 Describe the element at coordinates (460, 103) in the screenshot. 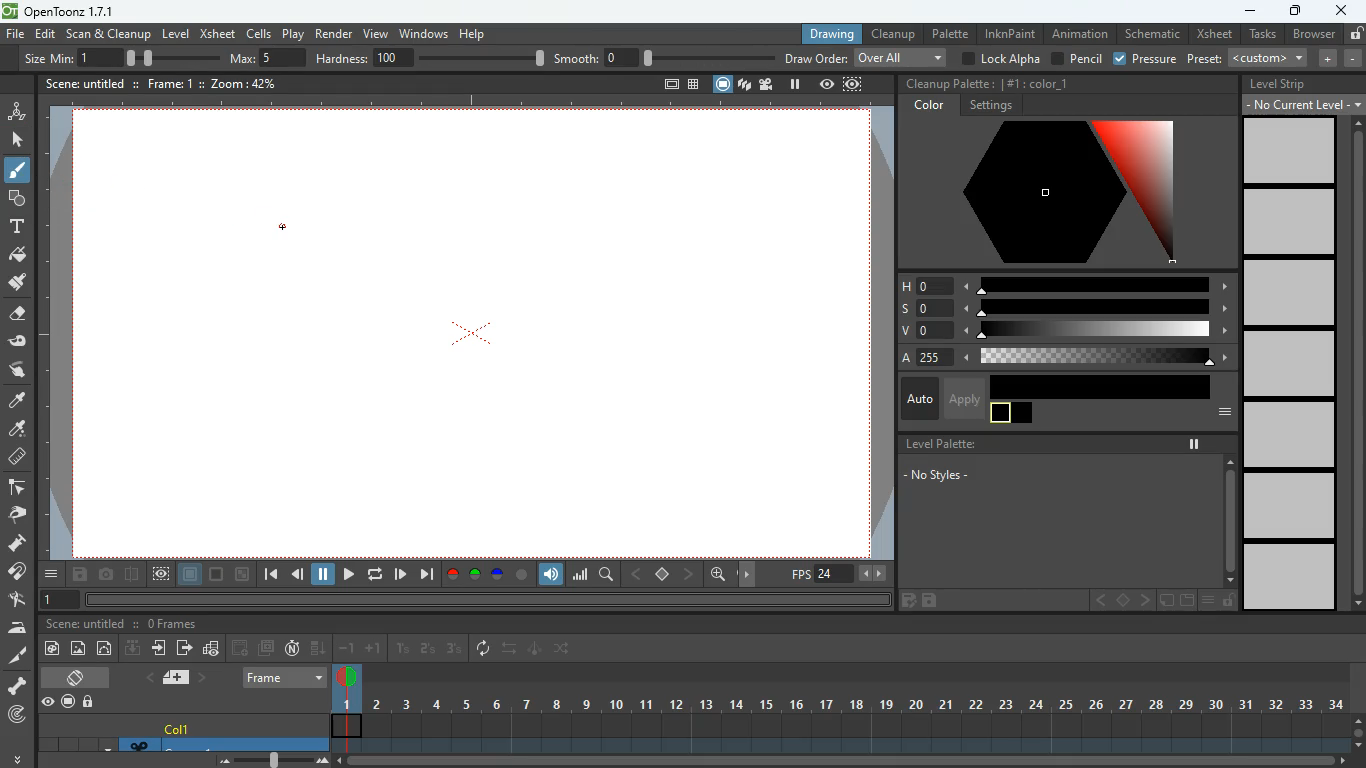

I see `horizontal scale` at that location.